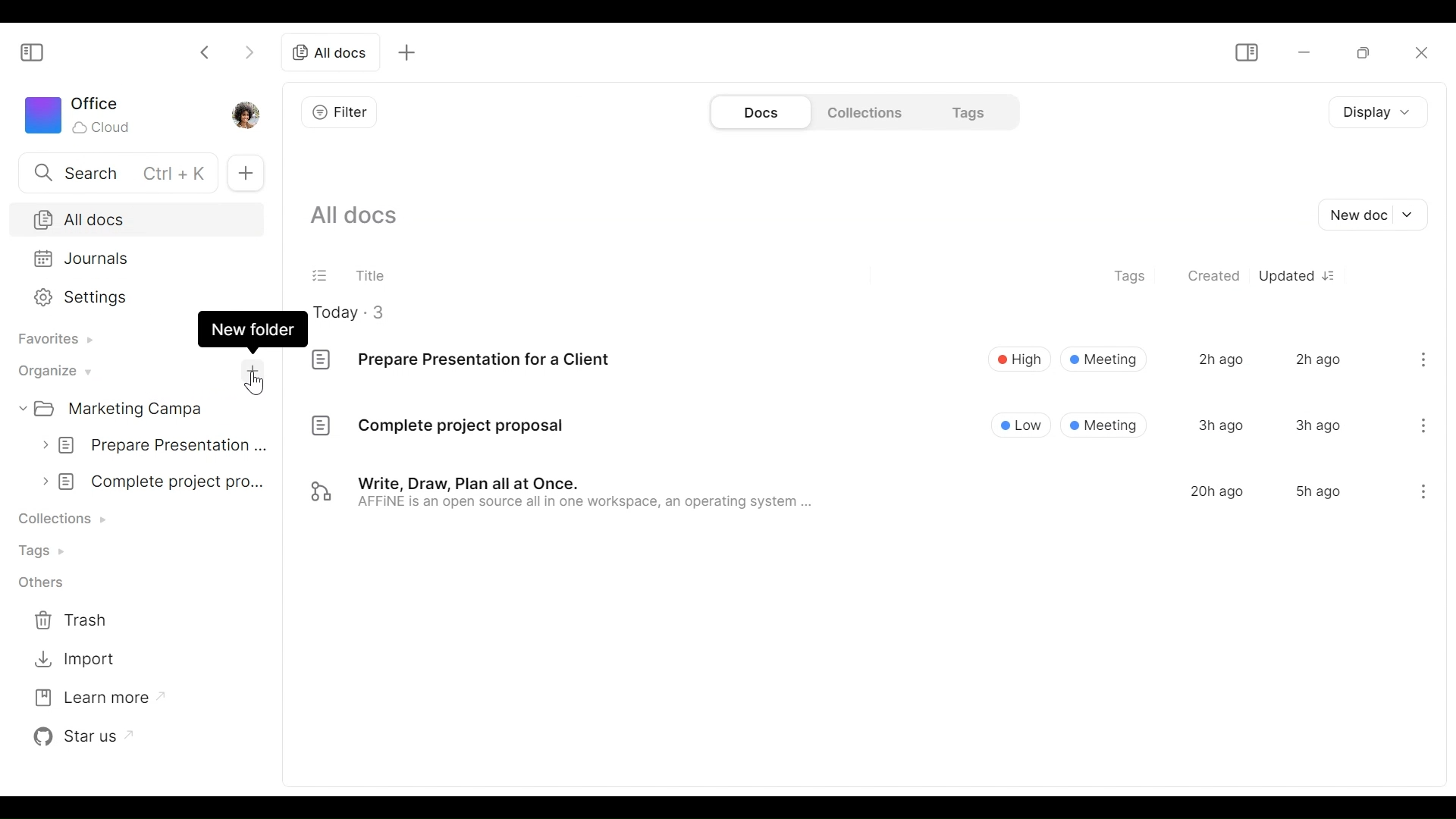 This screenshot has width=1456, height=819. I want to click on complete project, so click(156, 481).